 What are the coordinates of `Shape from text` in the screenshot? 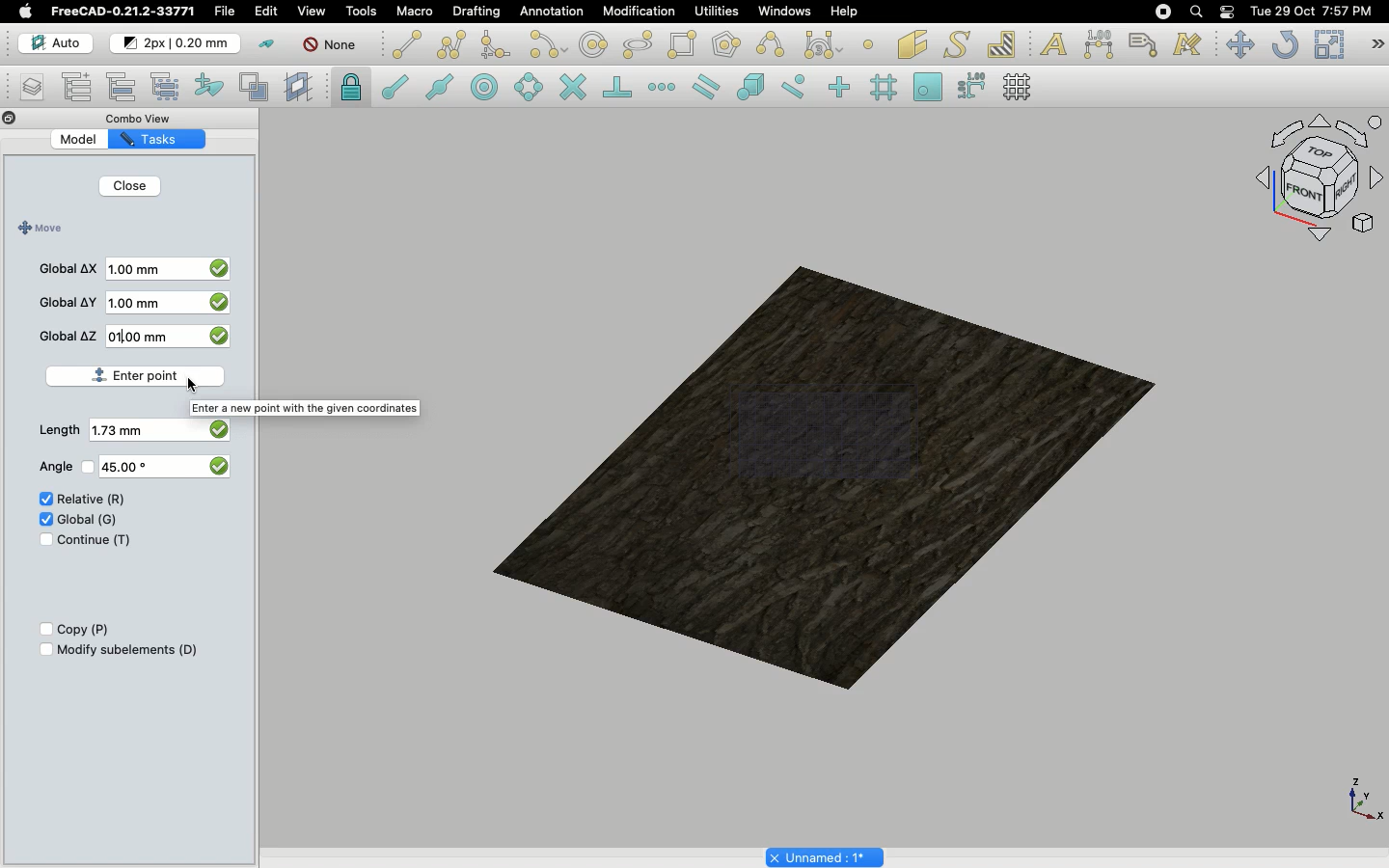 It's located at (960, 46).